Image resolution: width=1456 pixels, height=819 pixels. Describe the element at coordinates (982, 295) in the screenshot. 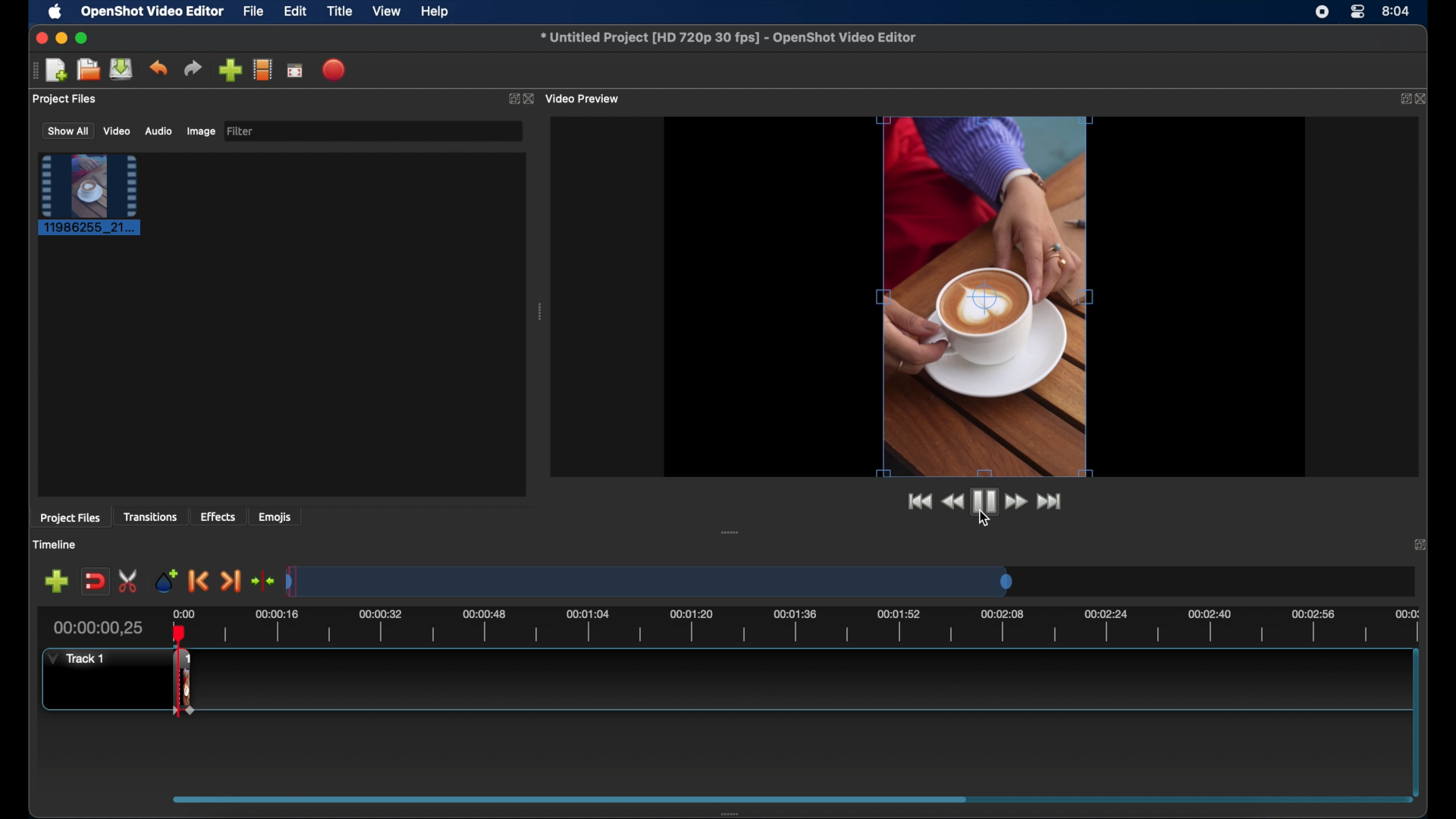

I see `video preview` at that location.